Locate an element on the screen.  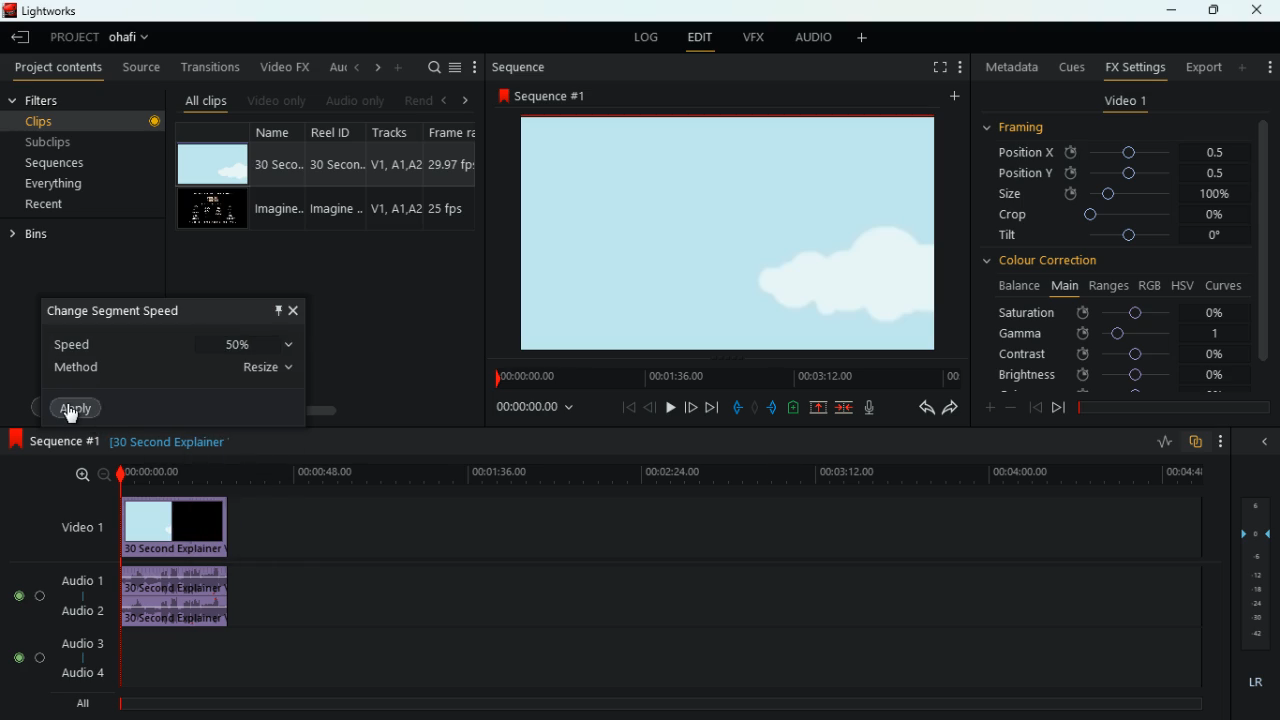
layers is located at coordinates (1253, 570).